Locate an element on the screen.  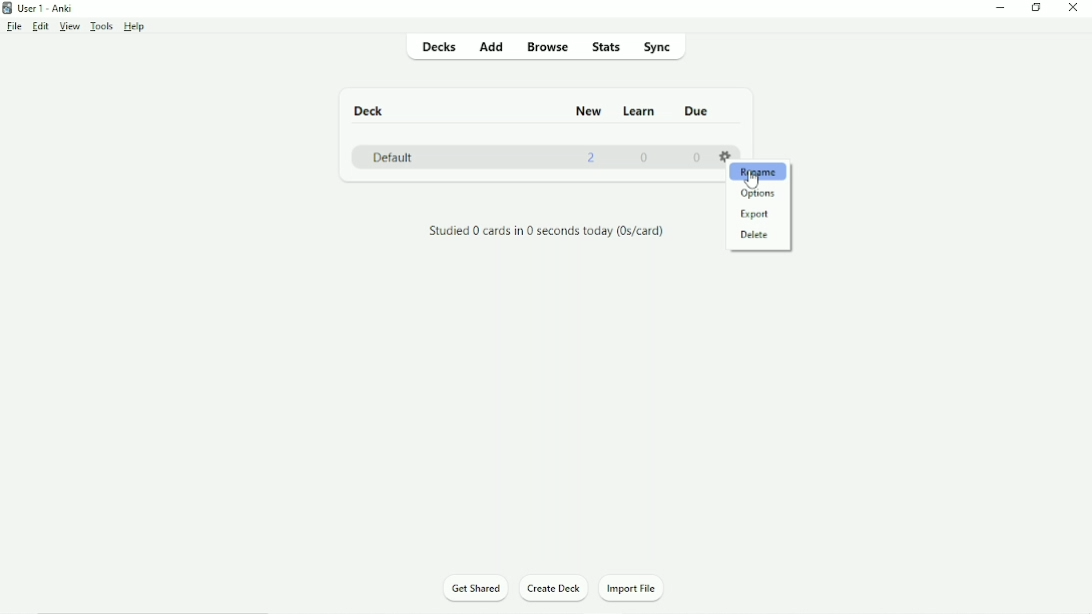
0 is located at coordinates (697, 157).